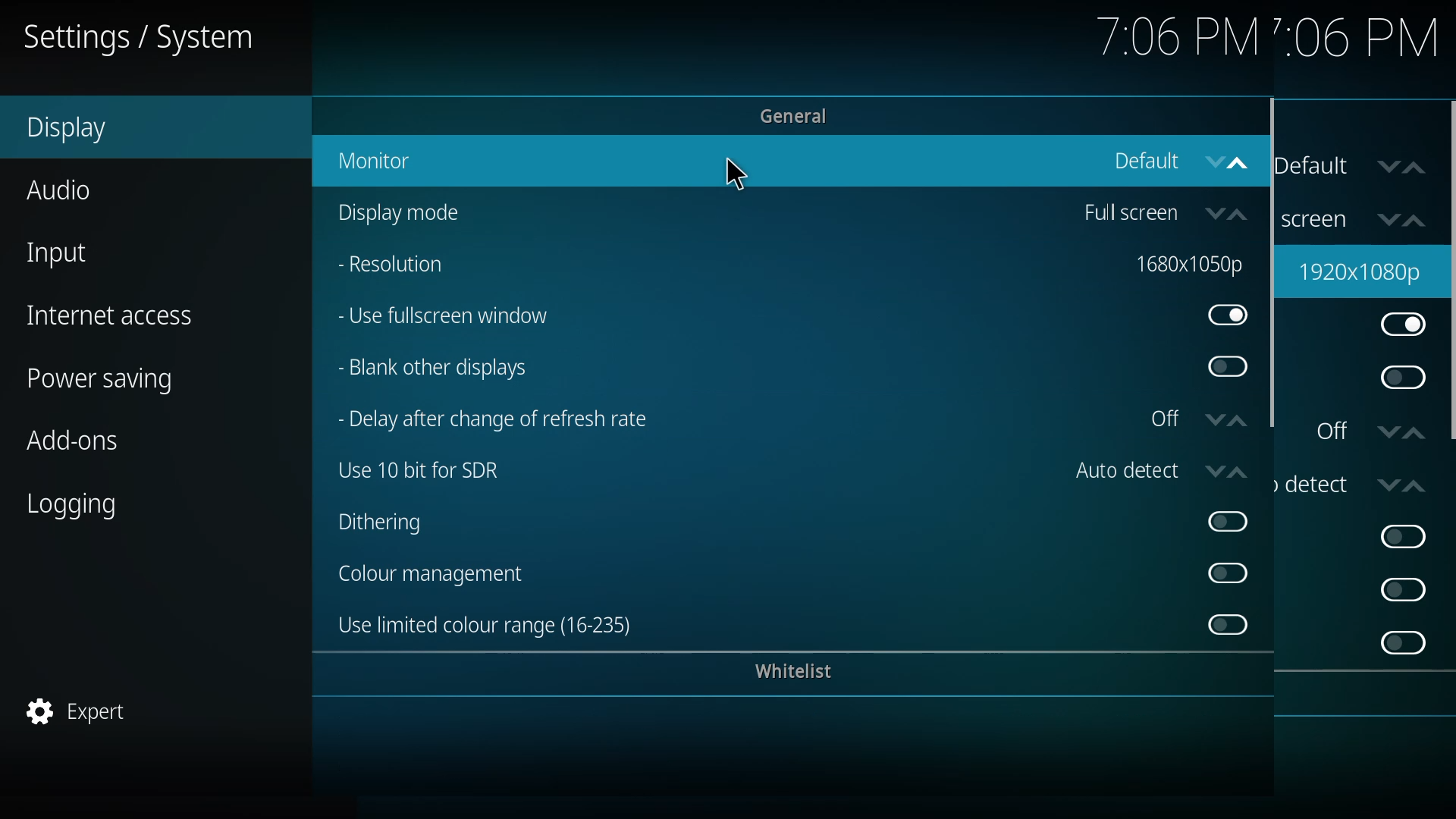  Describe the element at coordinates (376, 161) in the screenshot. I see `monitor` at that location.